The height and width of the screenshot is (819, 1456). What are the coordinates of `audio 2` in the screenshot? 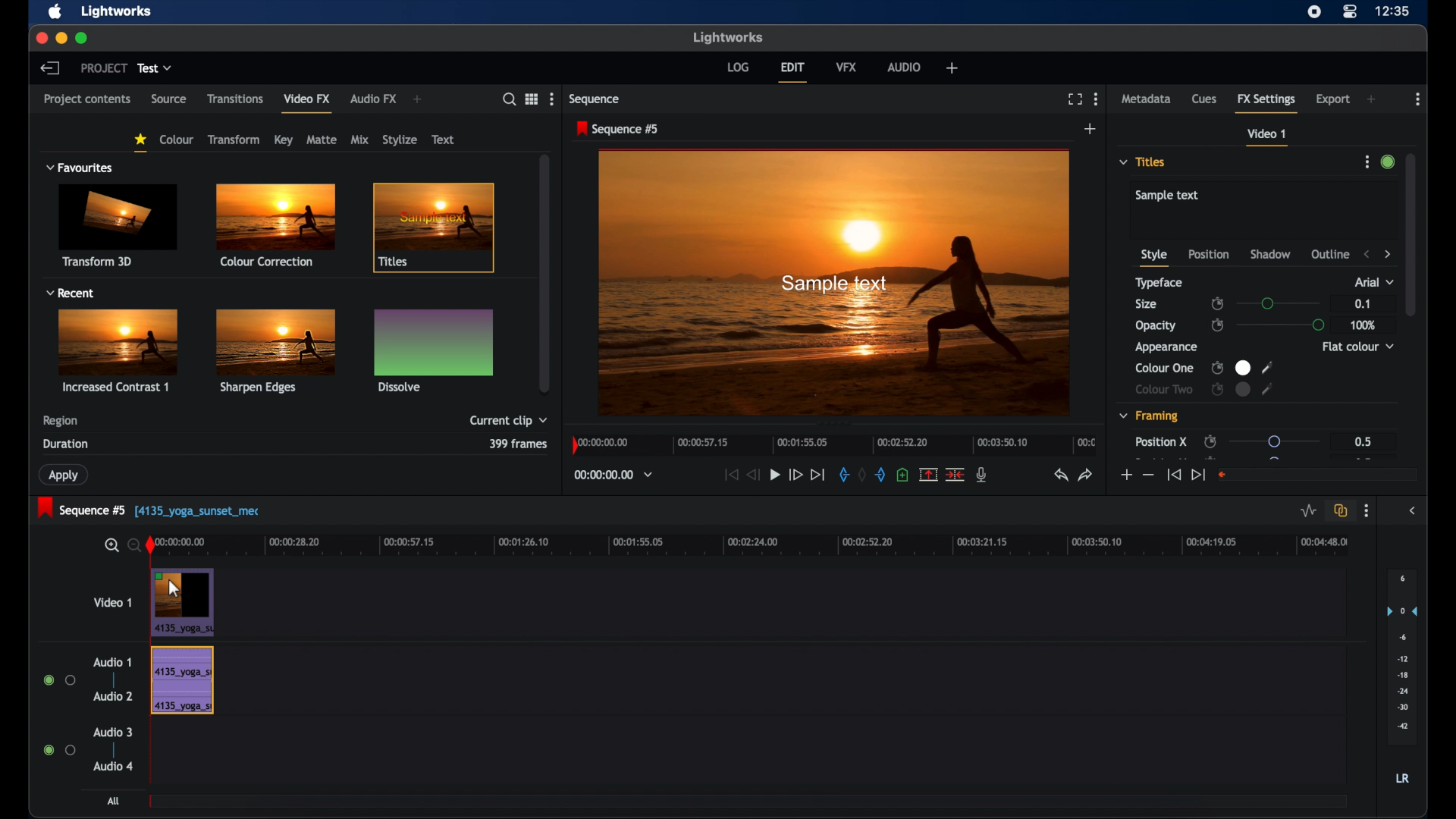 It's located at (112, 696).